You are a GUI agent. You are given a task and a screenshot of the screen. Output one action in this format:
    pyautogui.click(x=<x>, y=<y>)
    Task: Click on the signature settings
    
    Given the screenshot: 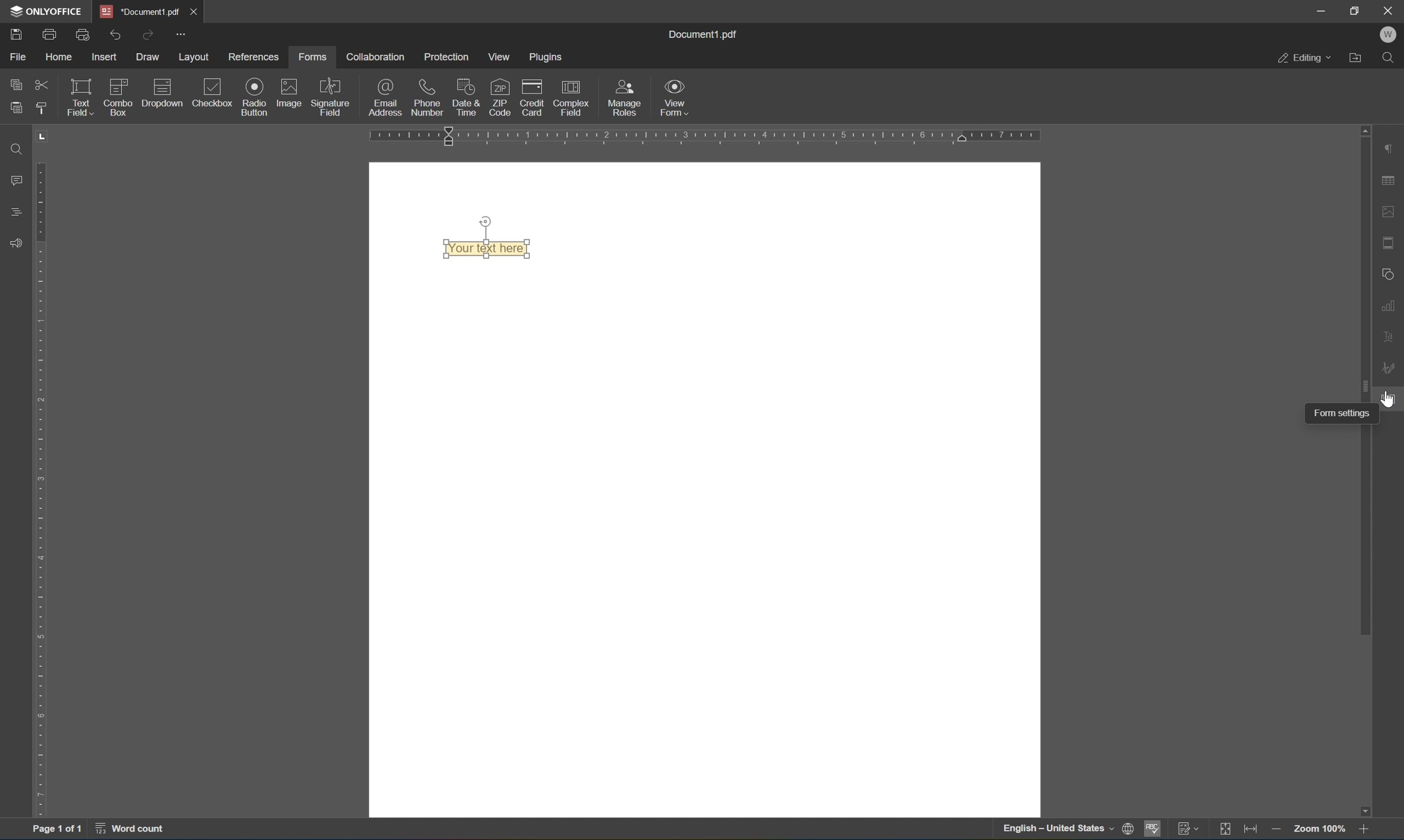 What is the action you would take?
    pyautogui.click(x=1391, y=368)
    